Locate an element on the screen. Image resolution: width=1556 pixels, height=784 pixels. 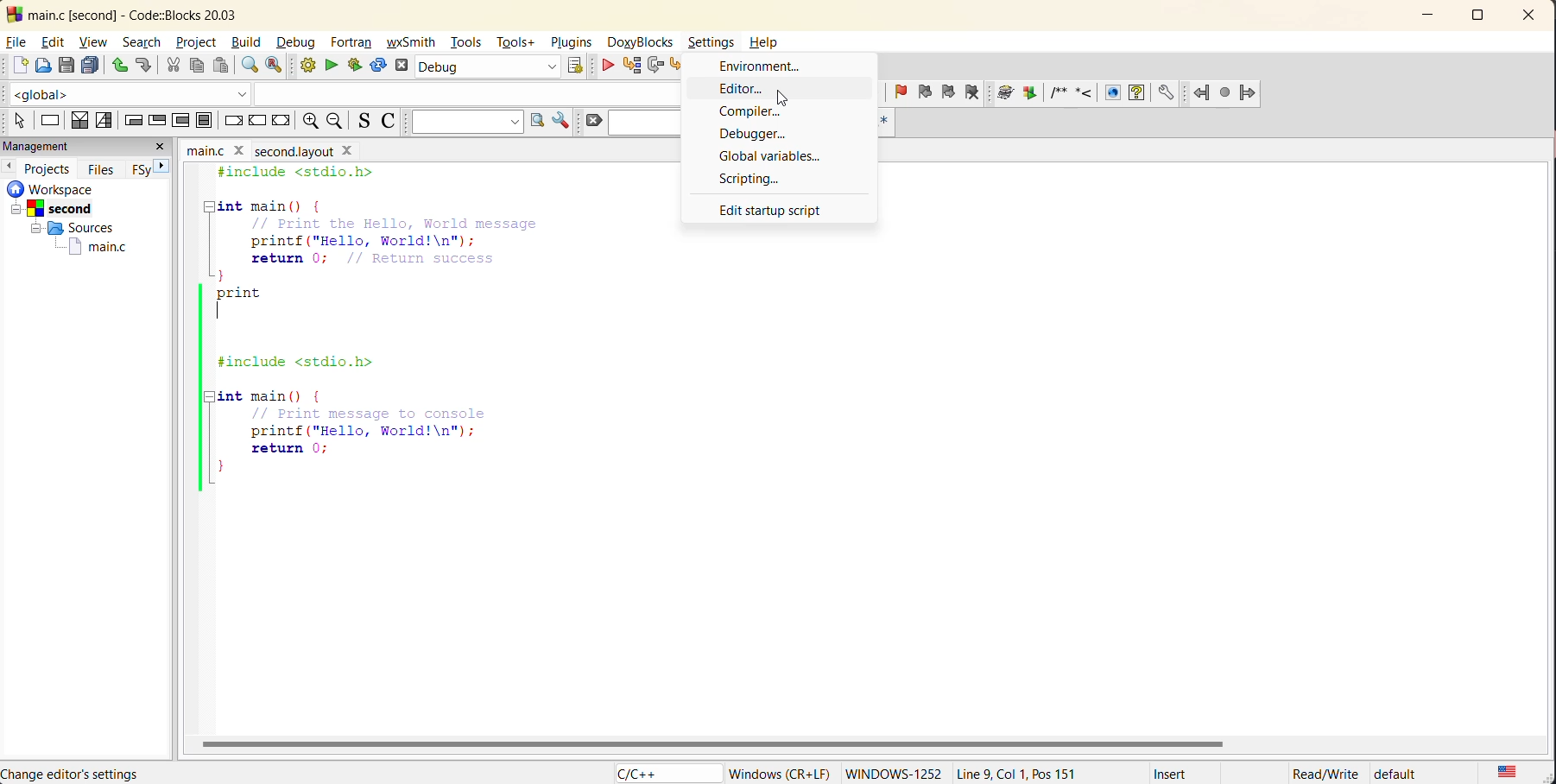
next line is located at coordinates (655, 67).